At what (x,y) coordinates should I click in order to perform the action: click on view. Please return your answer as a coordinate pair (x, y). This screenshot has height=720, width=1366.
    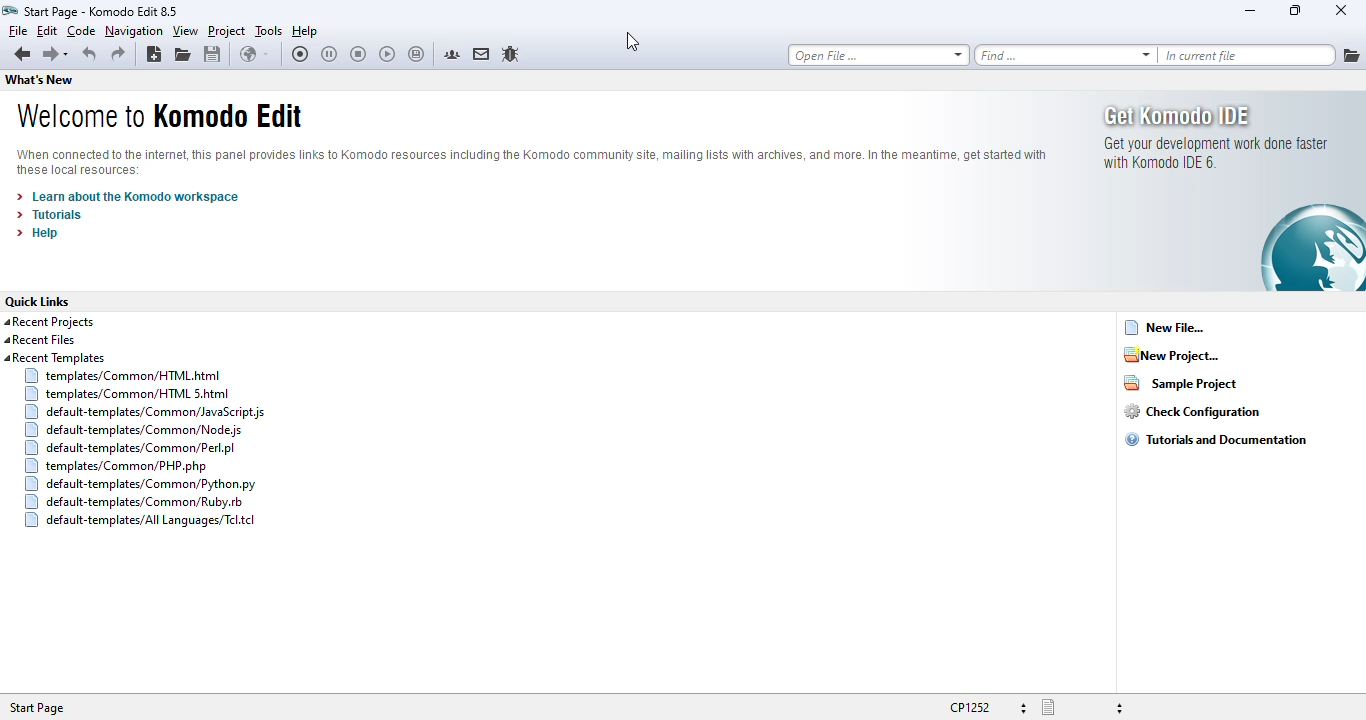
    Looking at the image, I should click on (185, 31).